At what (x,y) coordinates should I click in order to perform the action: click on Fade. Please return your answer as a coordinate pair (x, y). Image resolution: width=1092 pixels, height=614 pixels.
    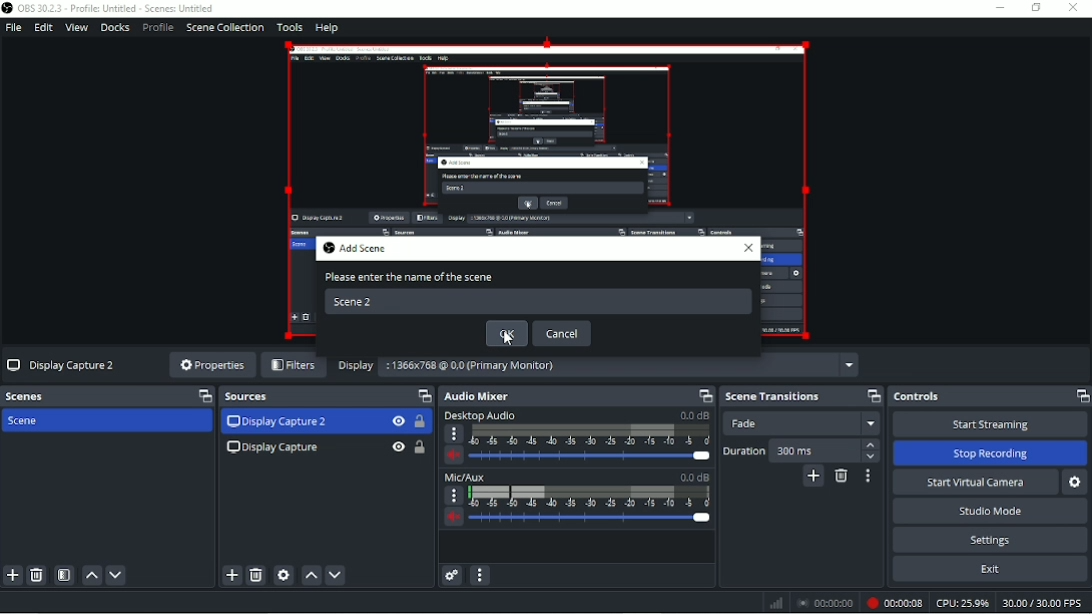
    Looking at the image, I should click on (801, 424).